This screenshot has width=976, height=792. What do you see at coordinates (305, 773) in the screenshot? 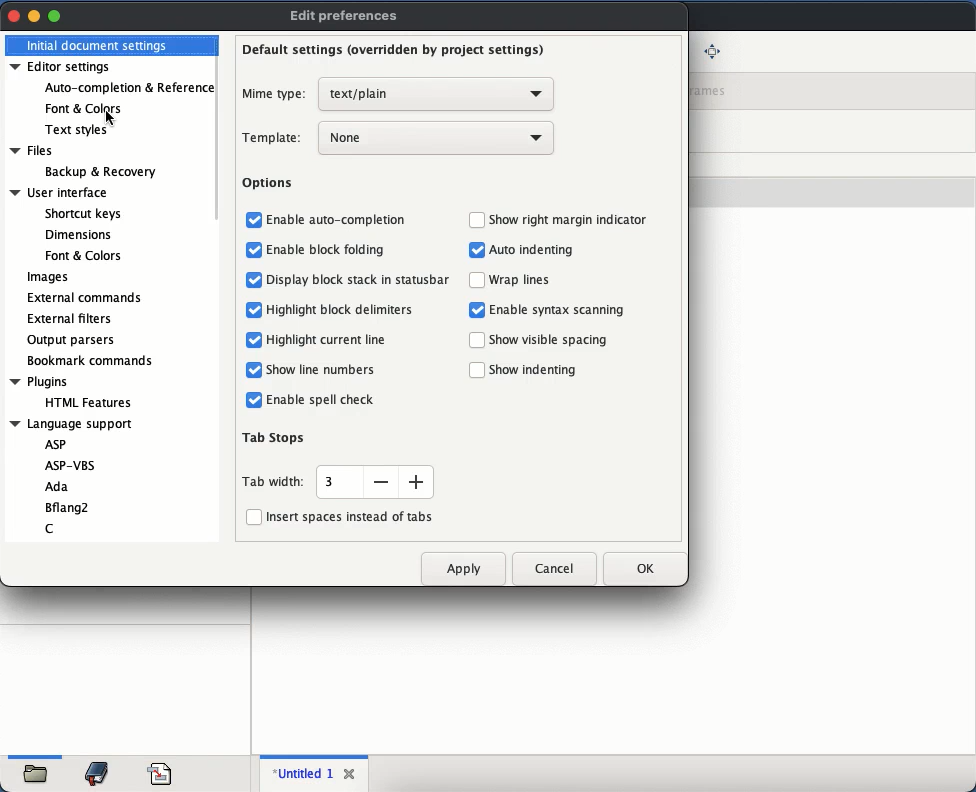
I see `untitled 1` at bounding box center [305, 773].